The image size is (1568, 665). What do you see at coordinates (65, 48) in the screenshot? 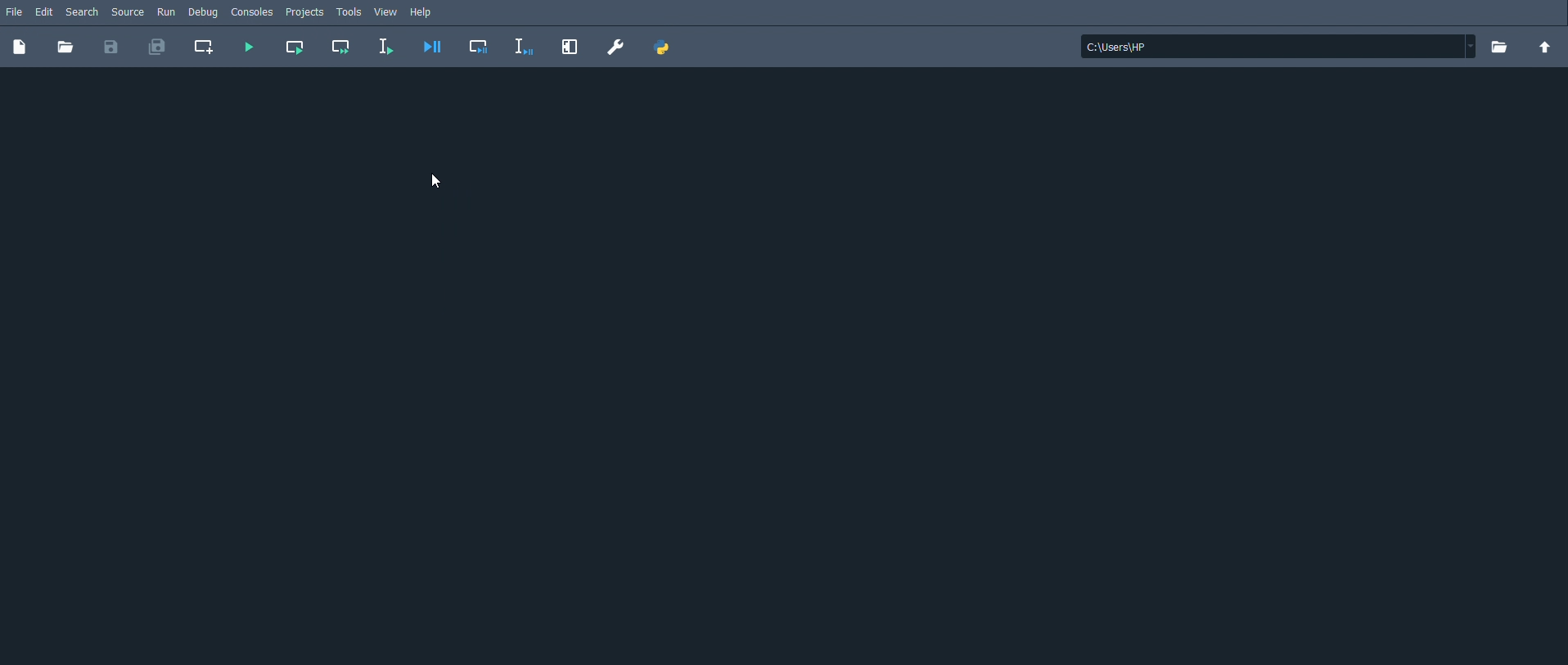
I see `Open file` at bounding box center [65, 48].